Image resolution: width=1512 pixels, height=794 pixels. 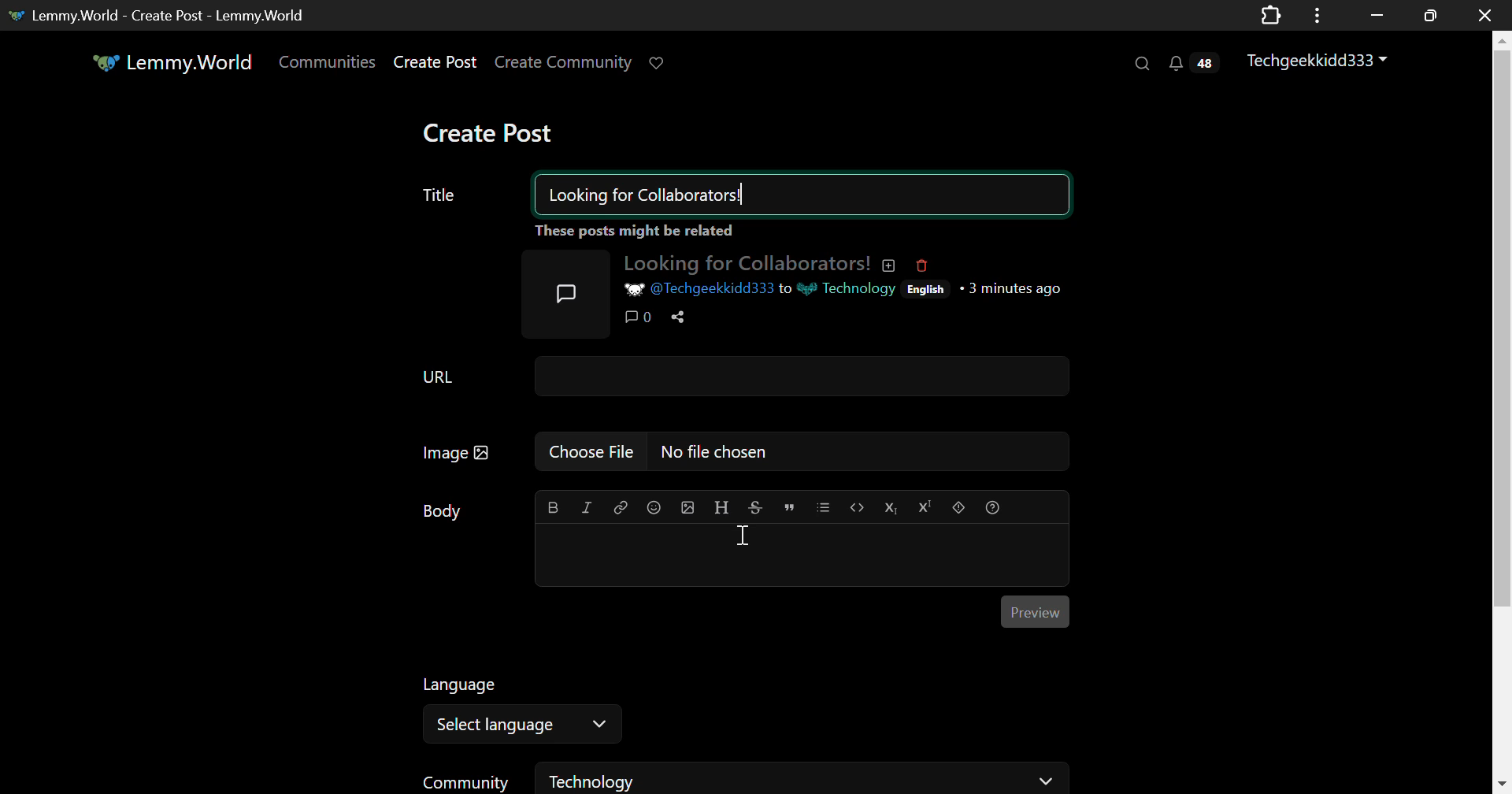 I want to click on Vertical Scroll Bar, so click(x=1502, y=412).